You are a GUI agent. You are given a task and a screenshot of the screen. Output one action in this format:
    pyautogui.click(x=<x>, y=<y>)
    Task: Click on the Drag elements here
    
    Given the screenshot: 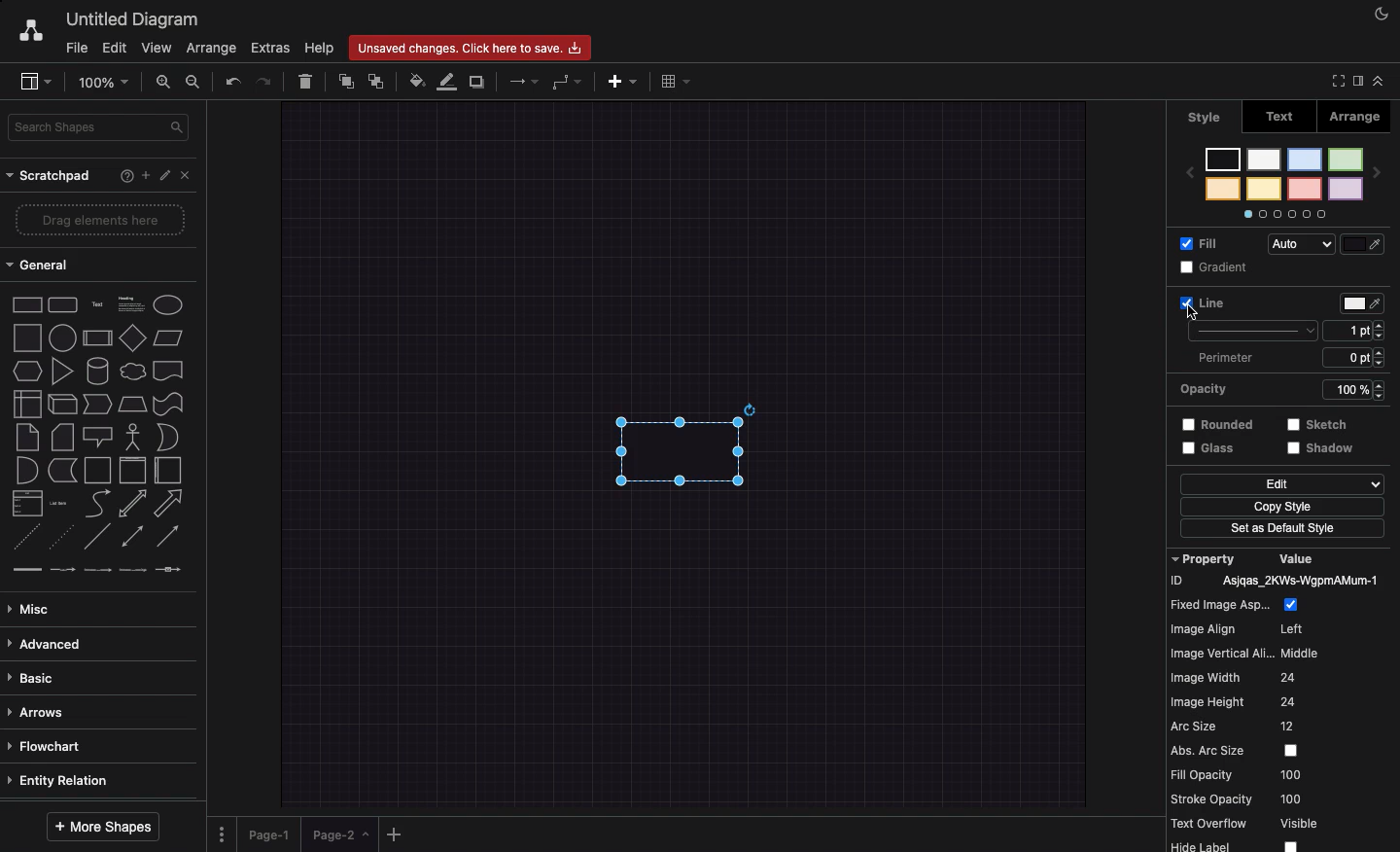 What is the action you would take?
    pyautogui.click(x=102, y=221)
    